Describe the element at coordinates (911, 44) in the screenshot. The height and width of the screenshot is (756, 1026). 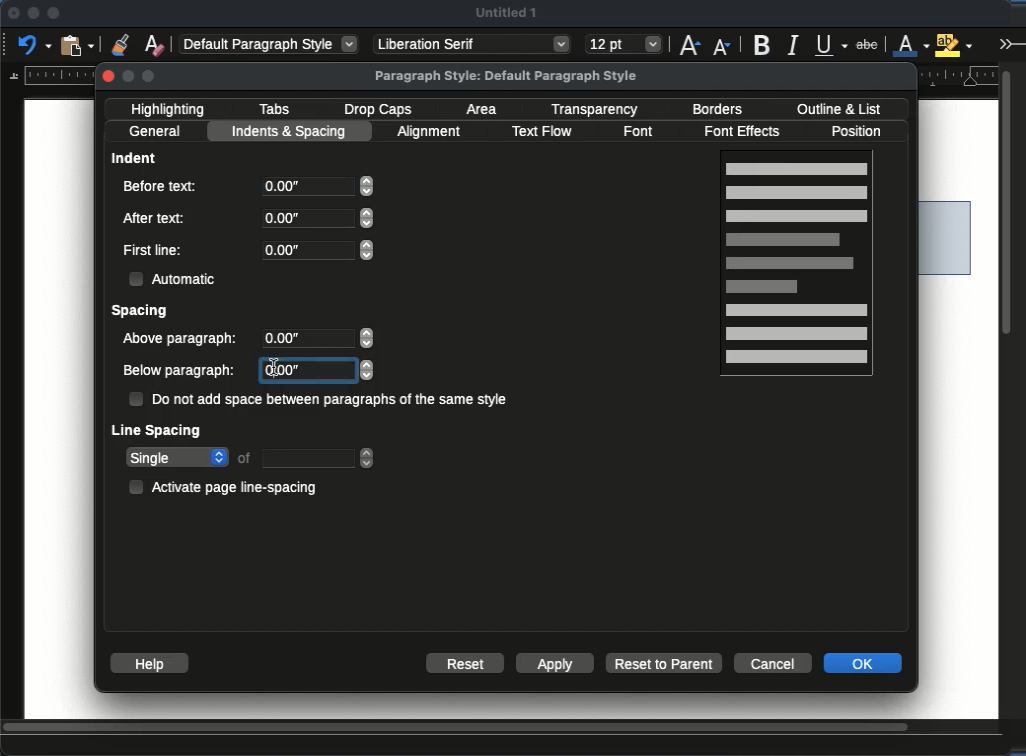
I see `line color` at that location.